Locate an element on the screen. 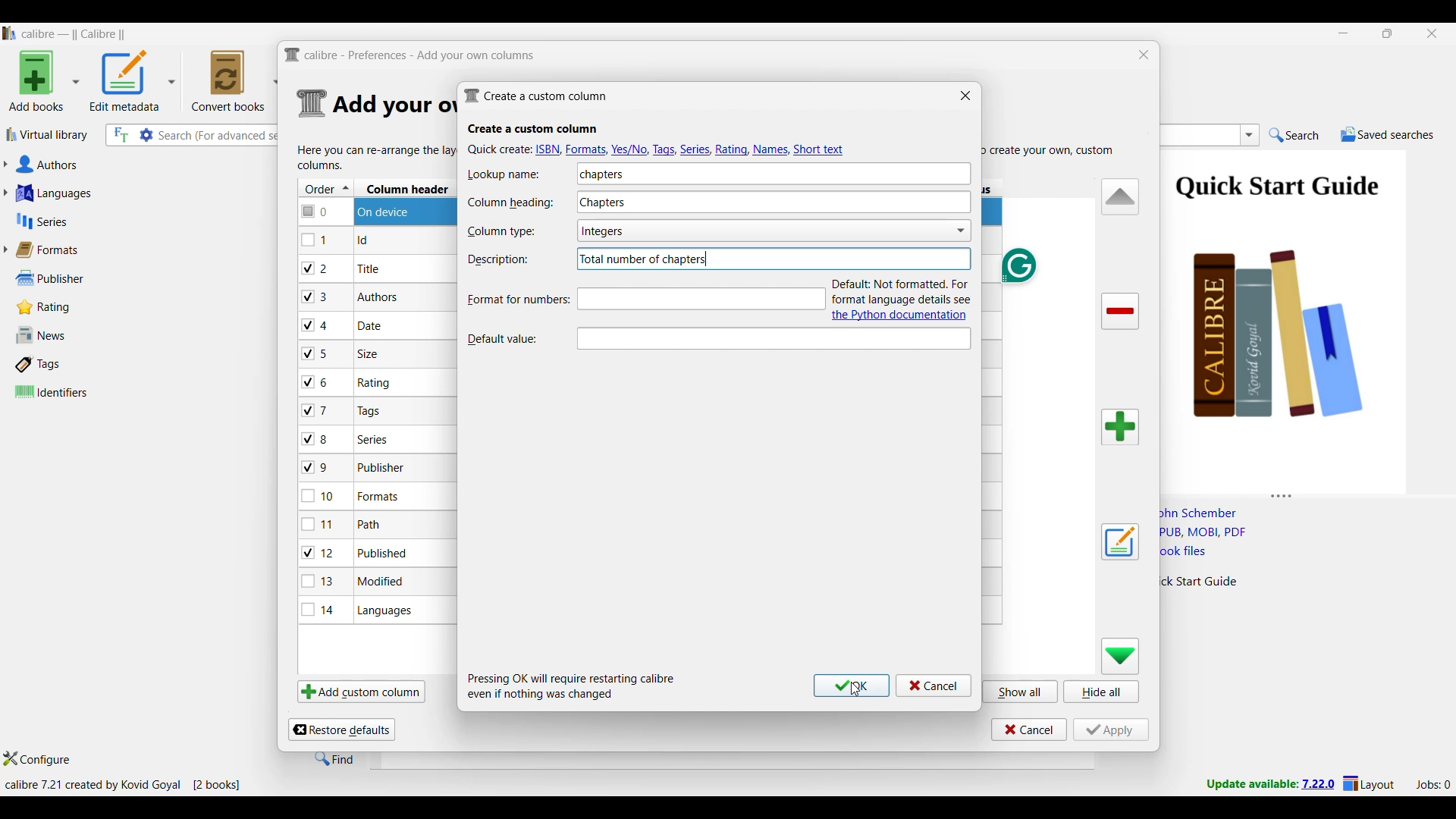  Delete column is located at coordinates (1121, 312).